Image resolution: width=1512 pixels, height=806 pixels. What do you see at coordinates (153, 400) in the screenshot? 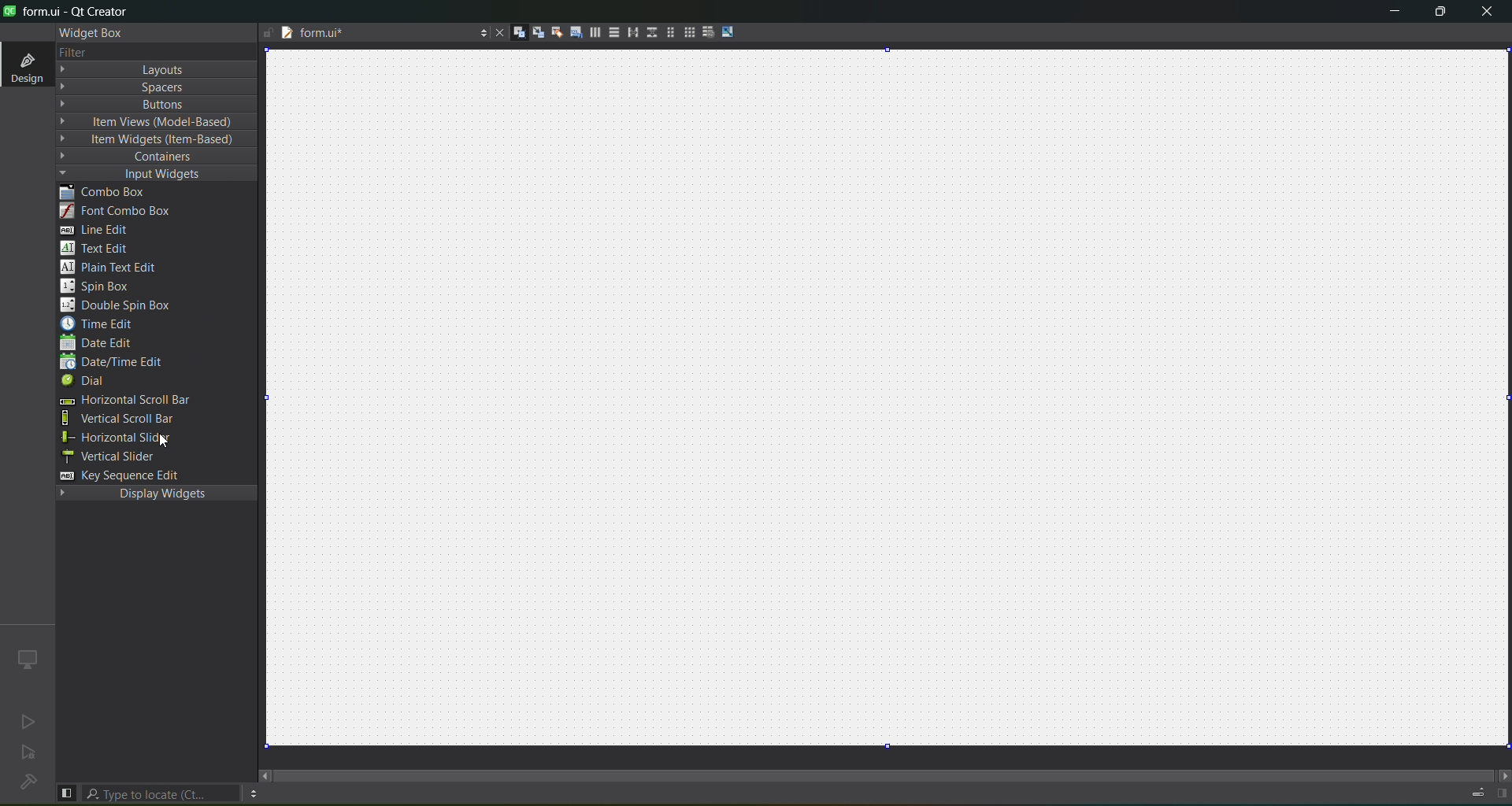
I see `horizontal scroll bar` at bounding box center [153, 400].